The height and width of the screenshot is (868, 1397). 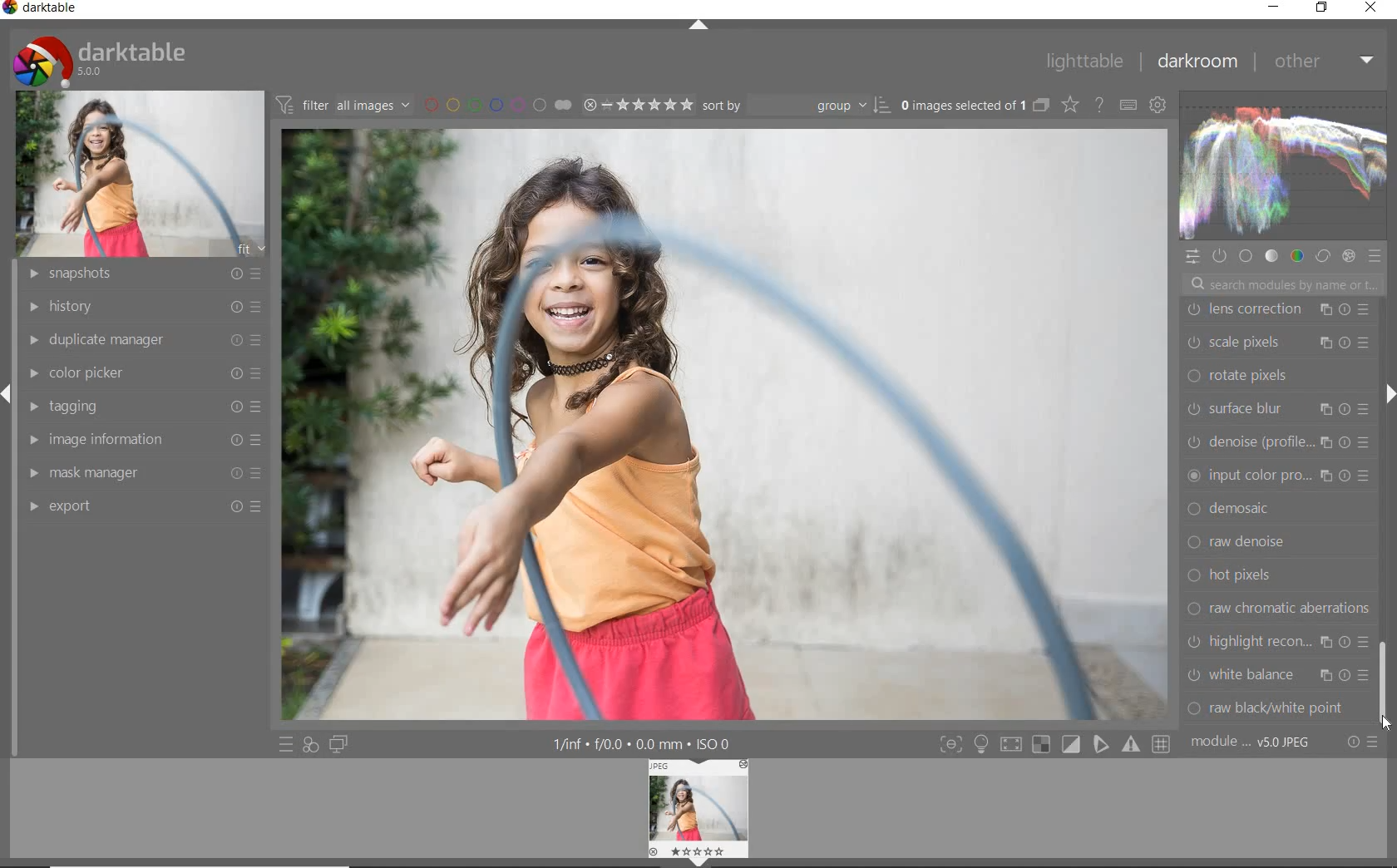 I want to click on other, so click(x=1324, y=61).